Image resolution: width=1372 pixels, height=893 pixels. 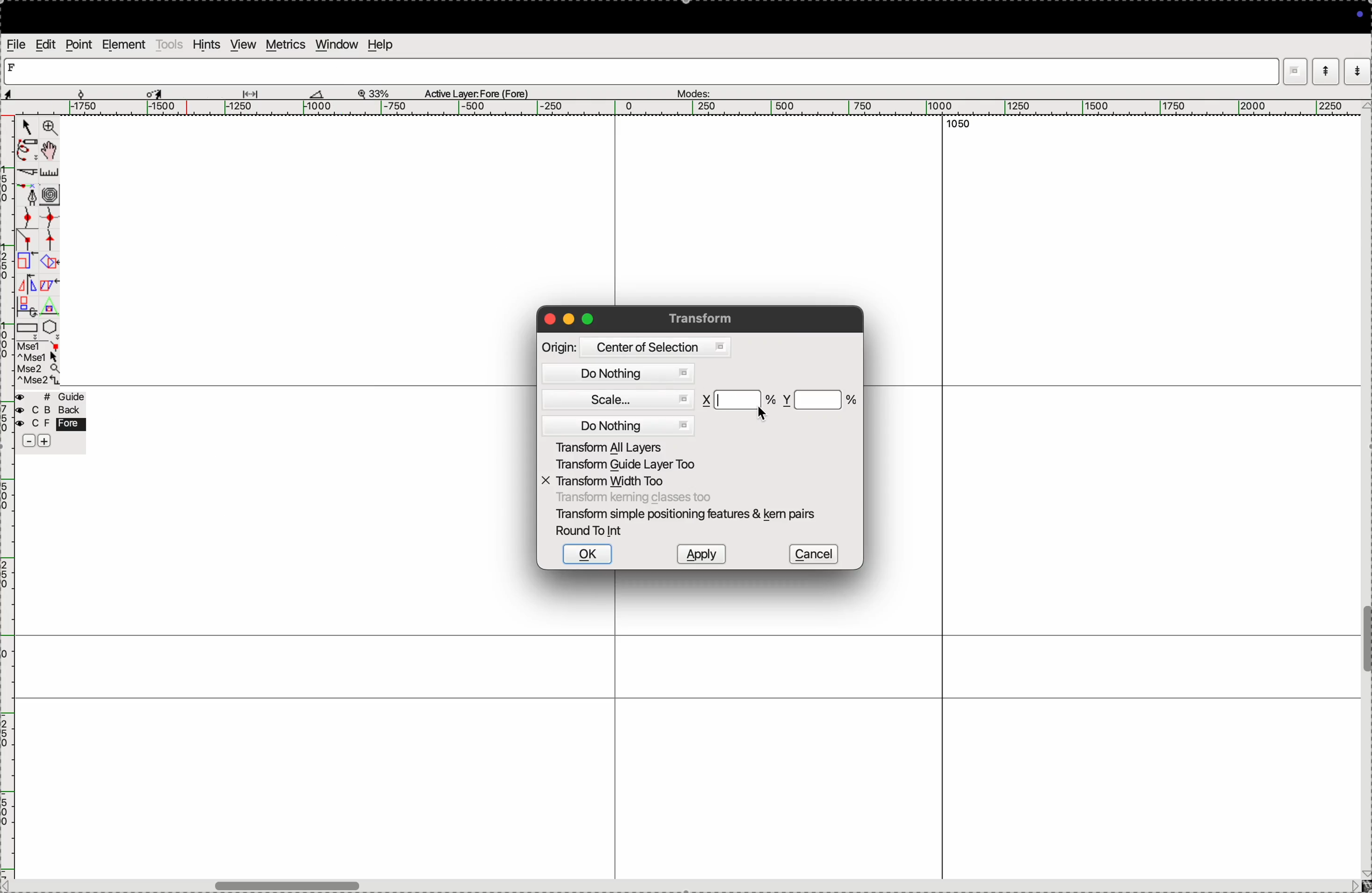 I want to click on file, so click(x=17, y=44).